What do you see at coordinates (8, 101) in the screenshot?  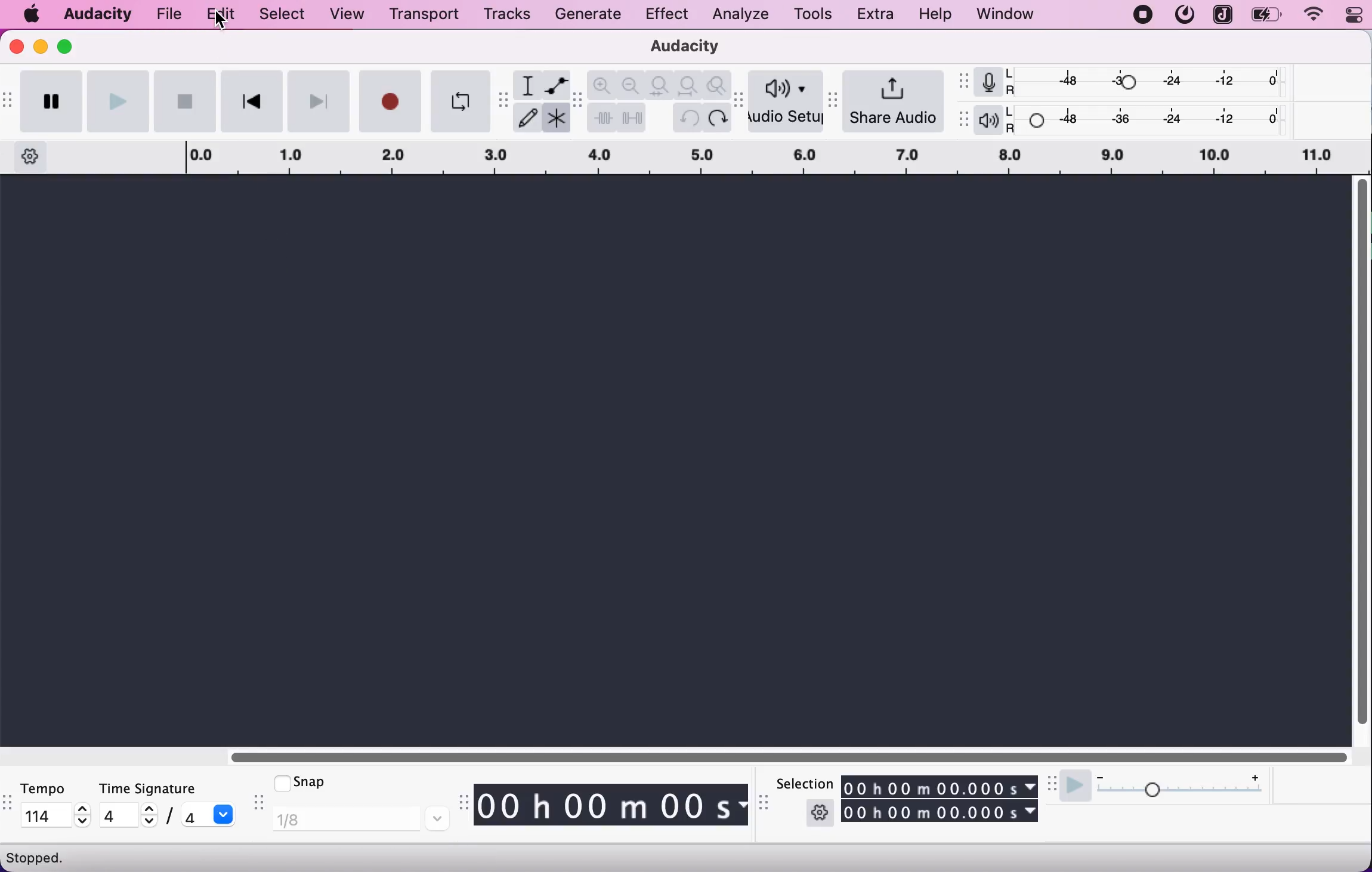 I see `audacity transport toolbar` at bounding box center [8, 101].